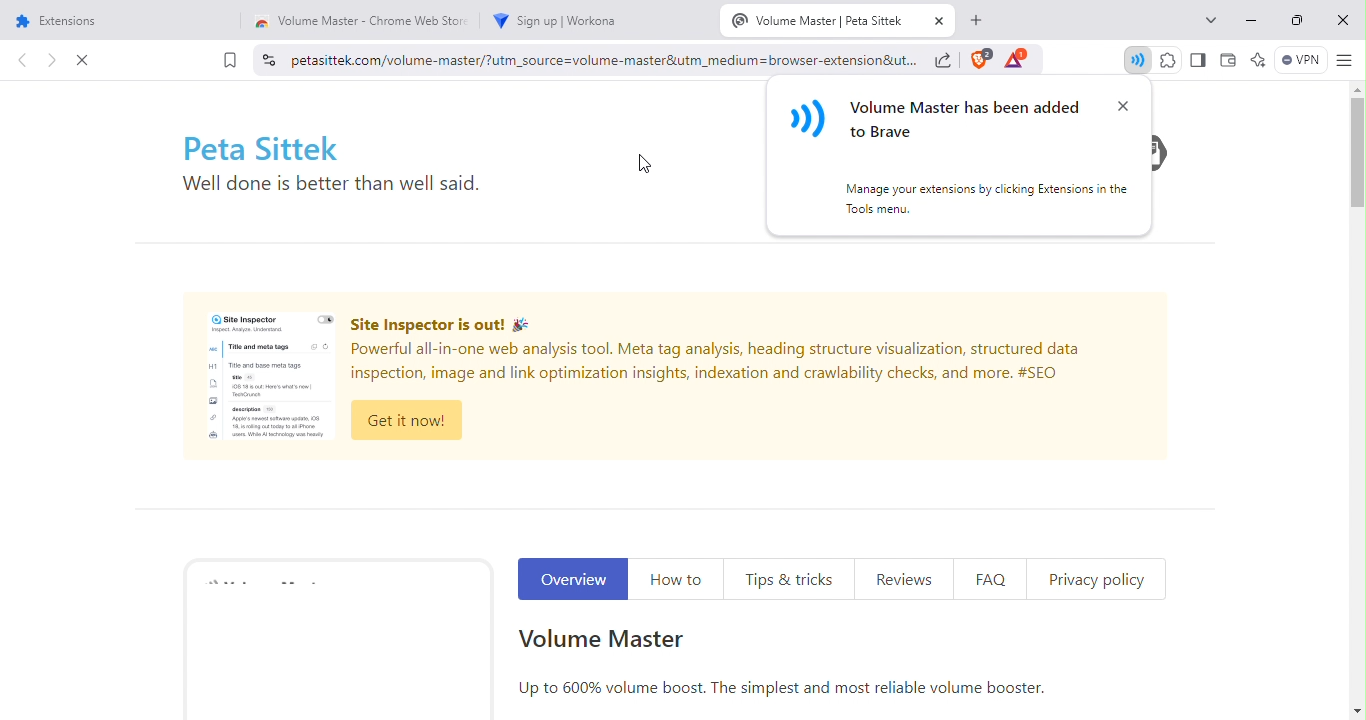 The height and width of the screenshot is (720, 1366). Describe the element at coordinates (1336, 17) in the screenshot. I see `close` at that location.